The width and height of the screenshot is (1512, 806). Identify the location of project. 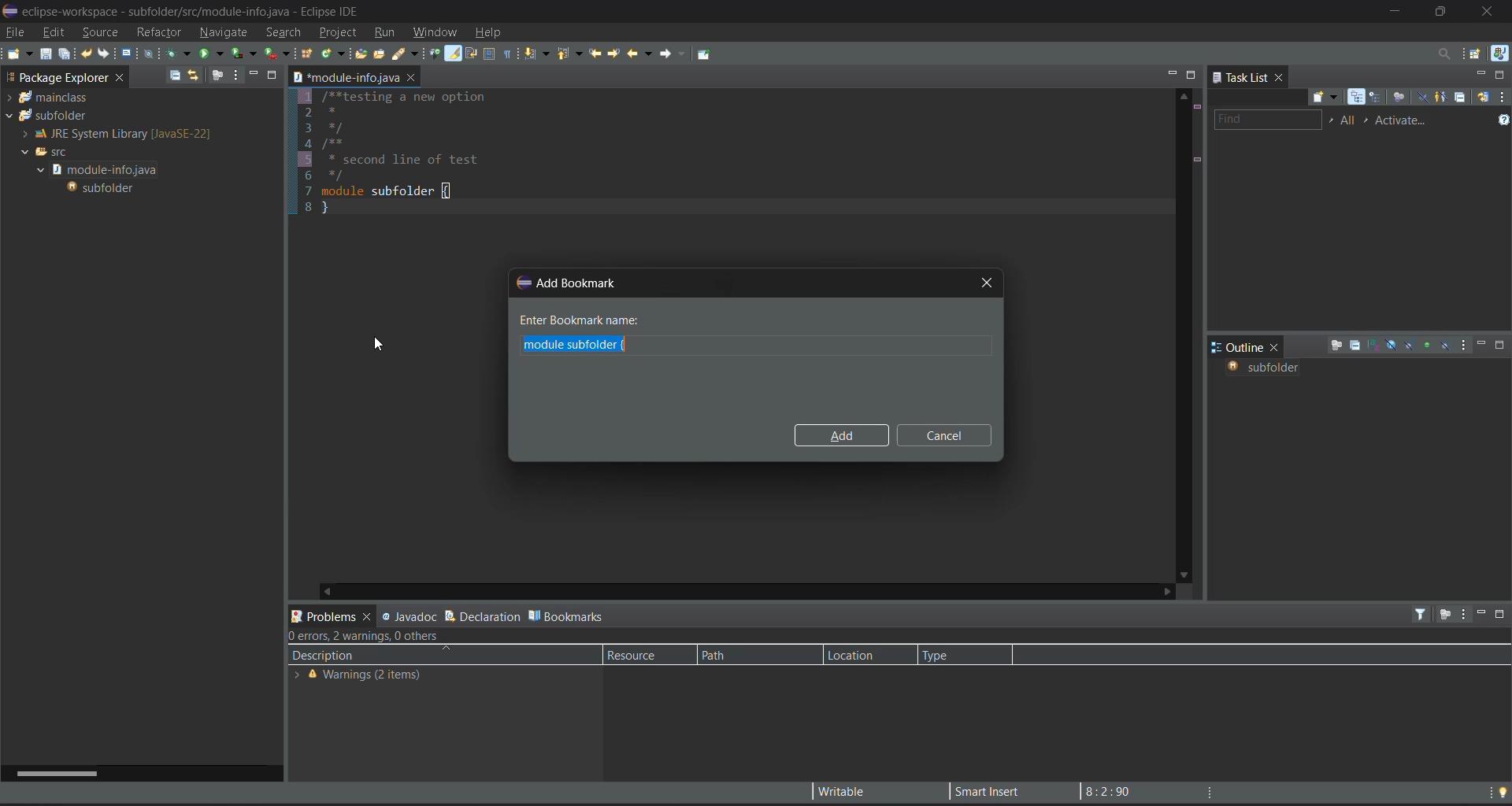
(336, 29).